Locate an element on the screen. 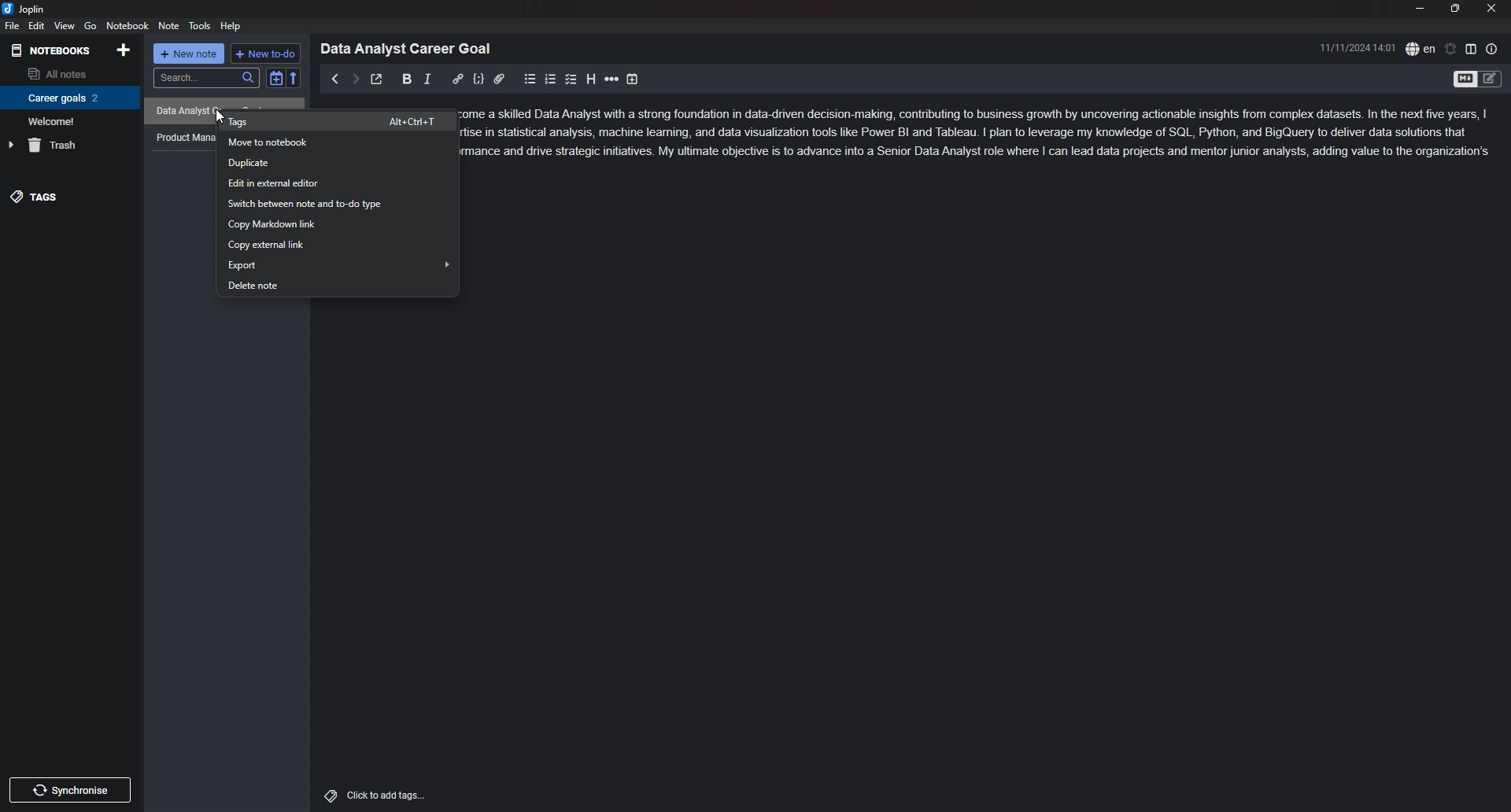  11/11/2024 14:01 is located at coordinates (1358, 47).